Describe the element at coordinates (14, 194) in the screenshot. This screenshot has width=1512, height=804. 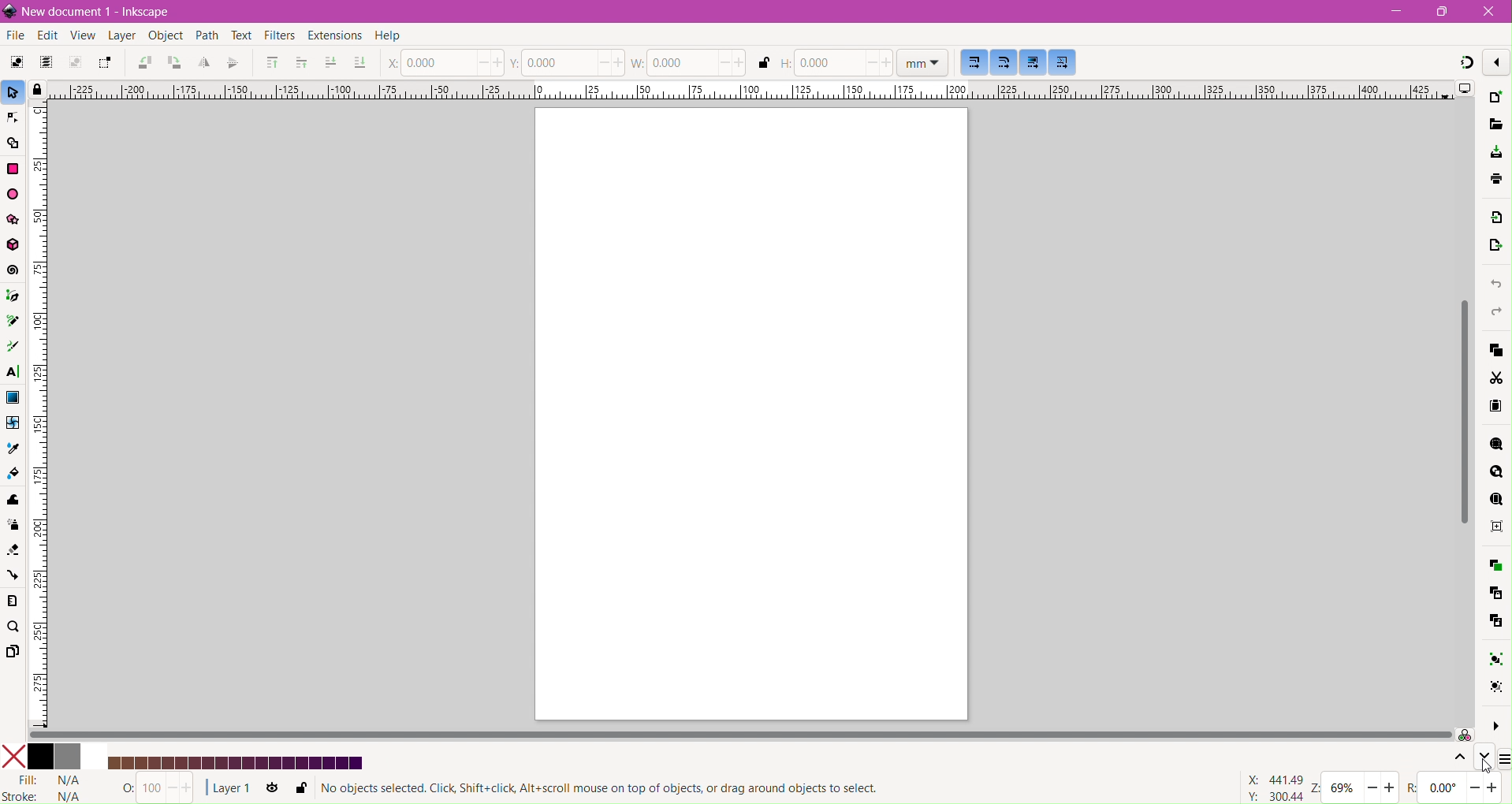
I see `Ellipse/Arc Tool` at that location.